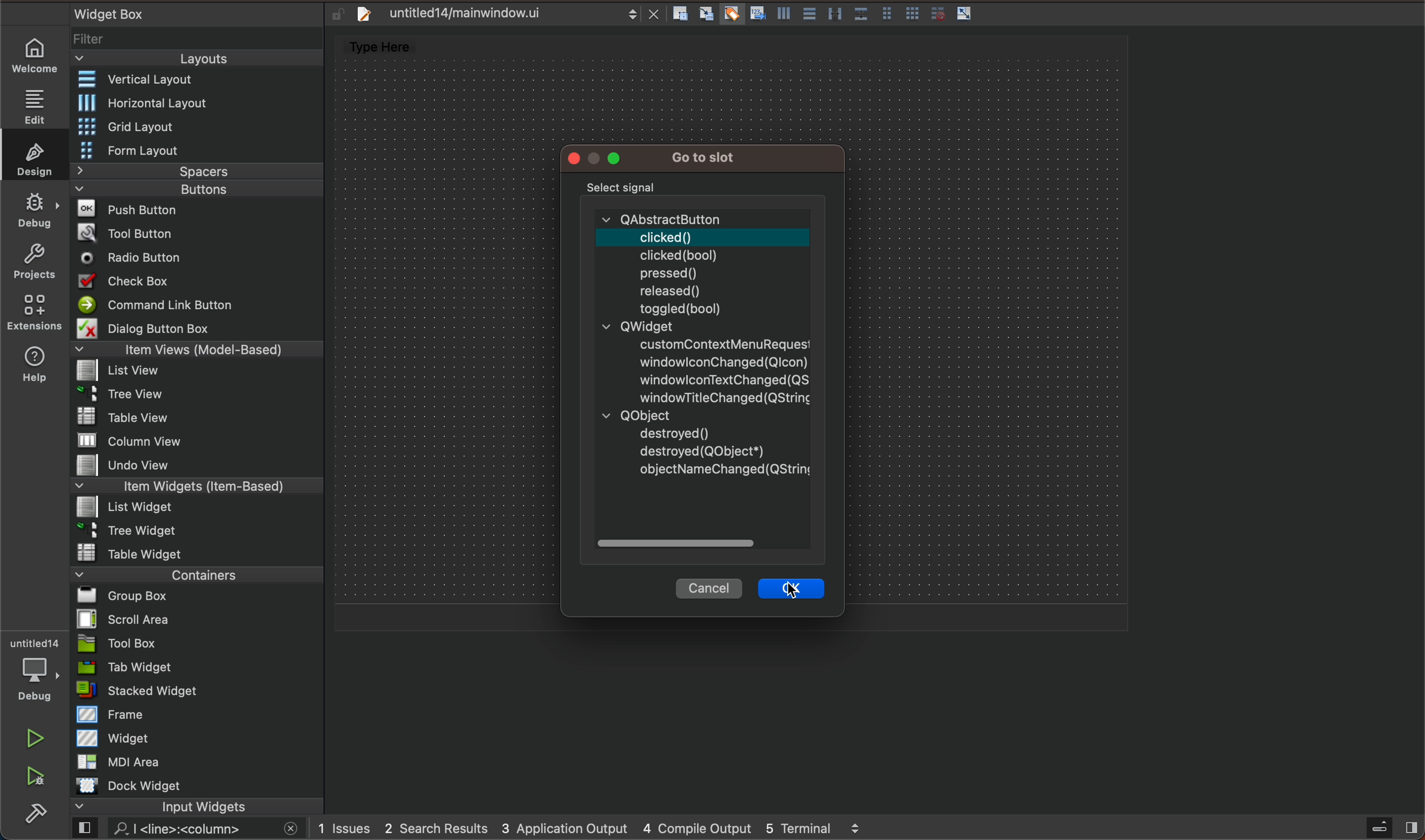 The image size is (1425, 840). I want to click on mdi area, so click(198, 765).